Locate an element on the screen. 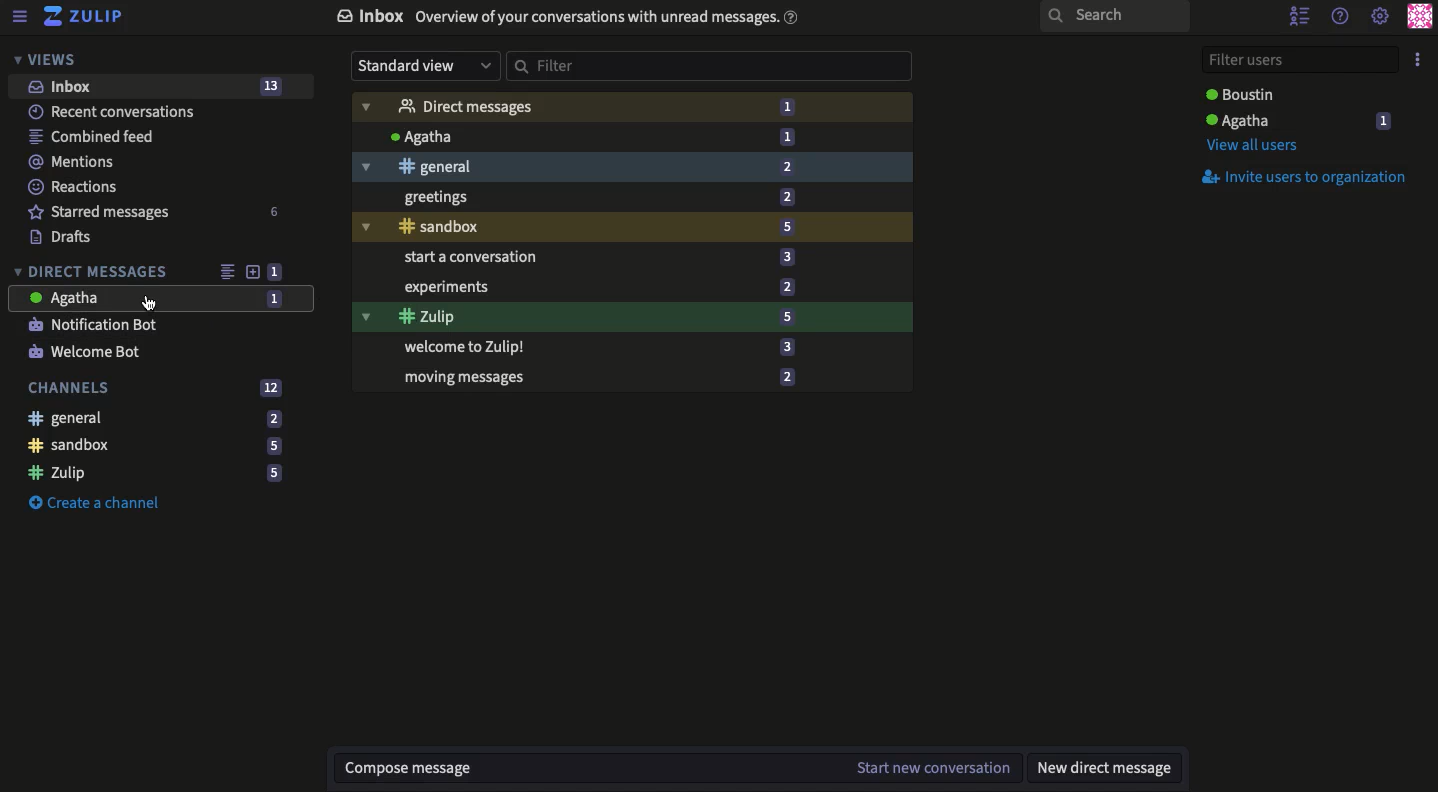 The image size is (1438, 792). Experiments is located at coordinates (633, 289).